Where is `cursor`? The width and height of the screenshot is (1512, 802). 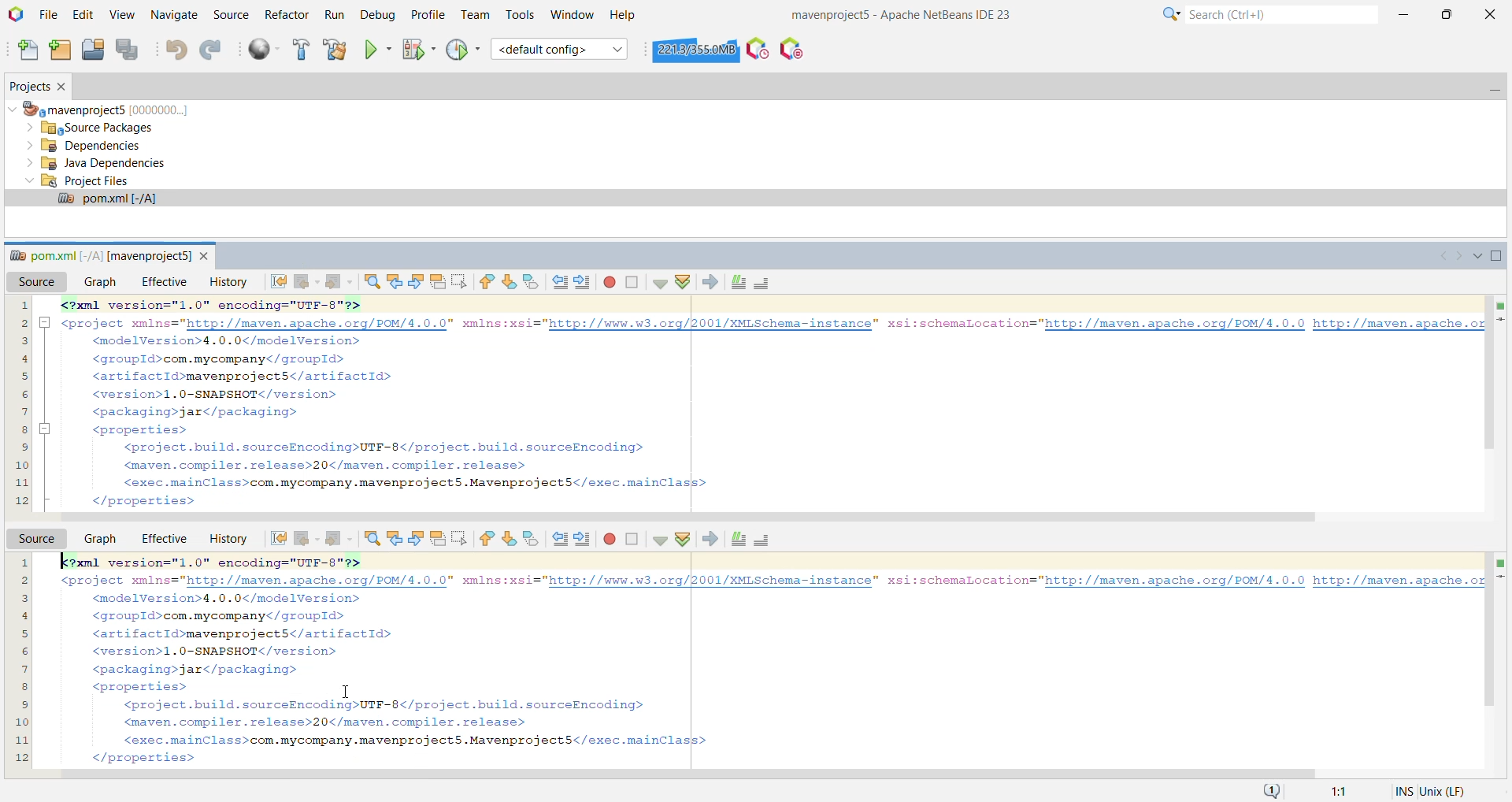
cursor is located at coordinates (349, 693).